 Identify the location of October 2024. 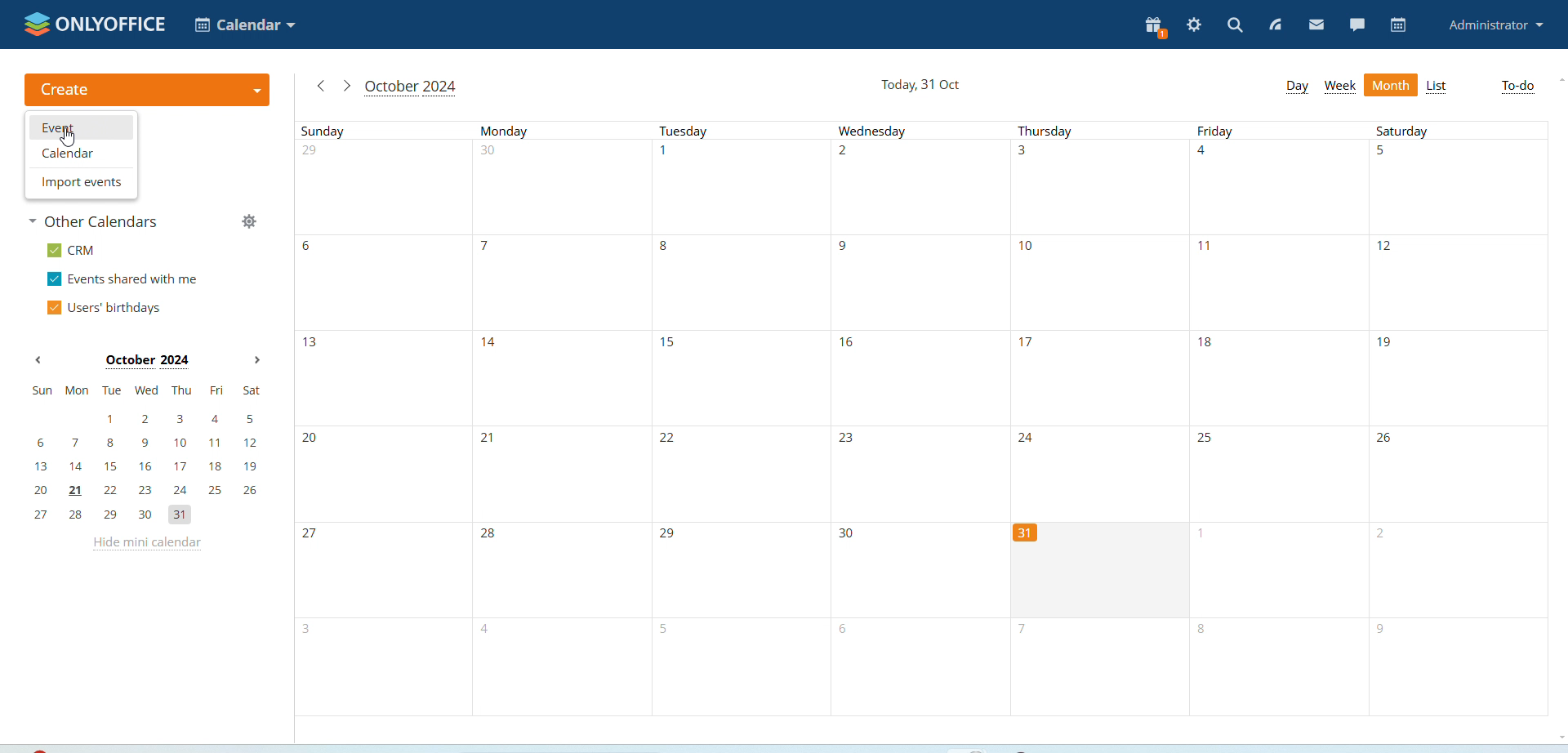
(423, 87).